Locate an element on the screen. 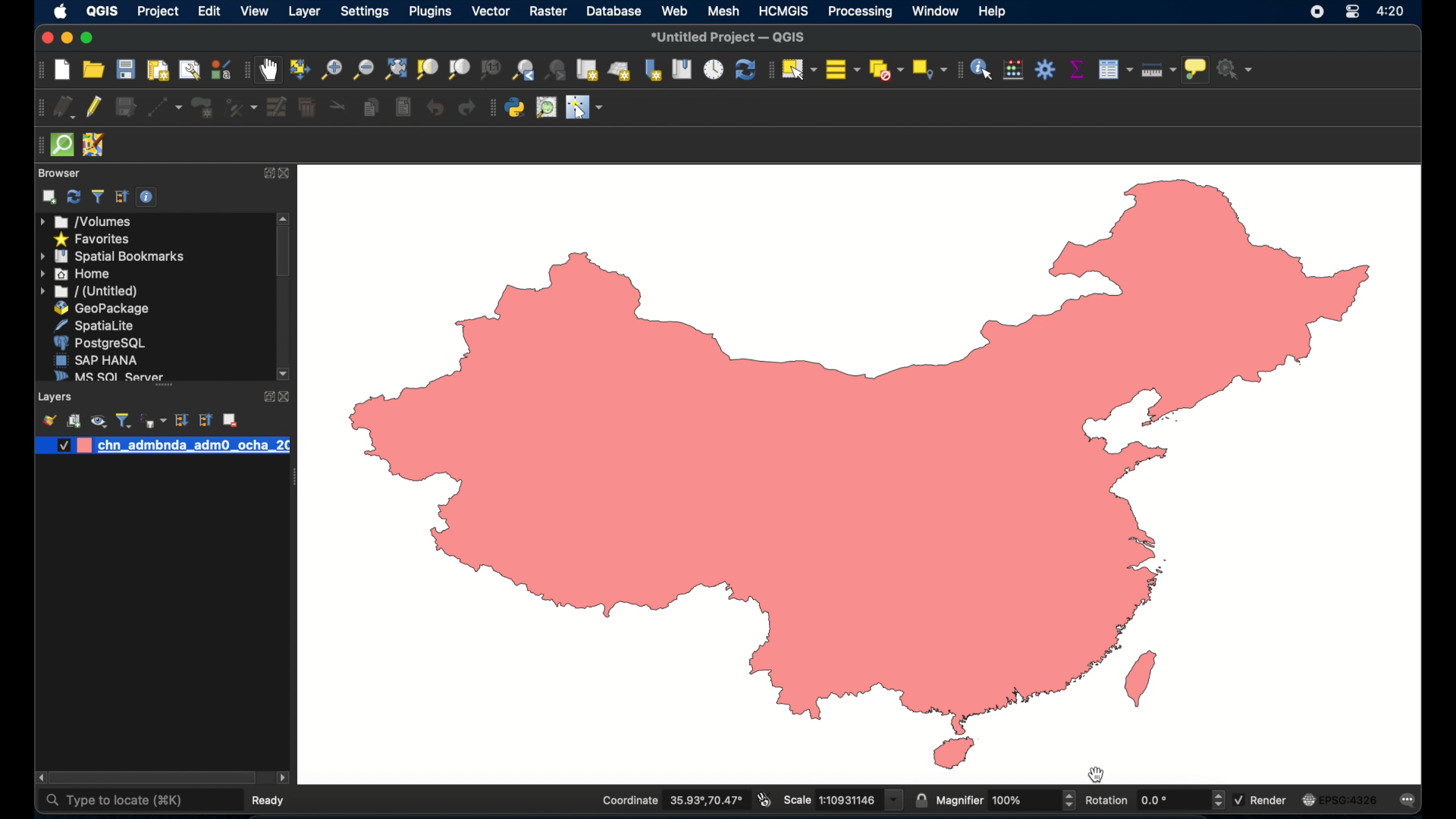  project is located at coordinates (157, 13).